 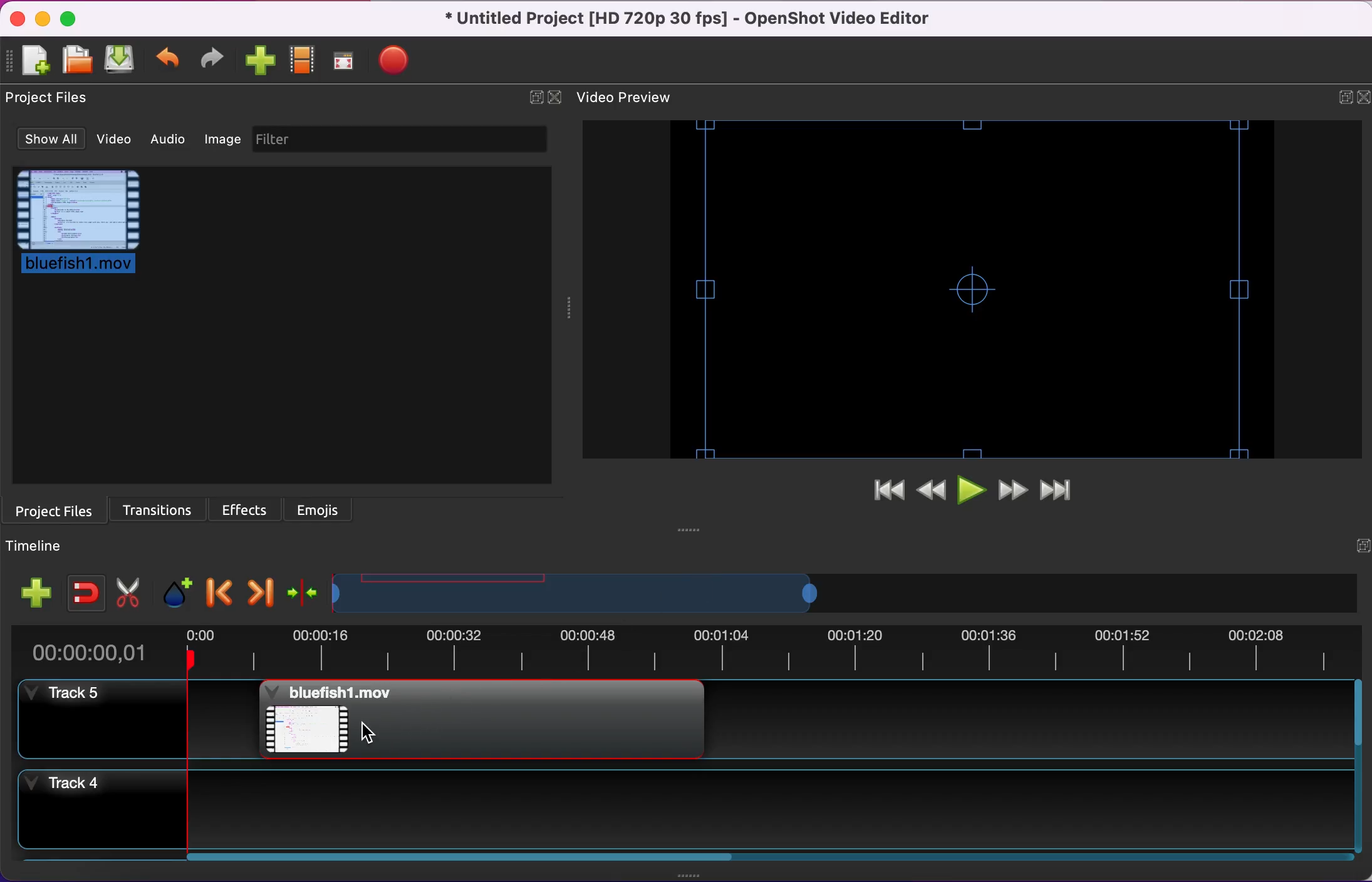 What do you see at coordinates (318, 509) in the screenshot?
I see `emojis` at bounding box center [318, 509].